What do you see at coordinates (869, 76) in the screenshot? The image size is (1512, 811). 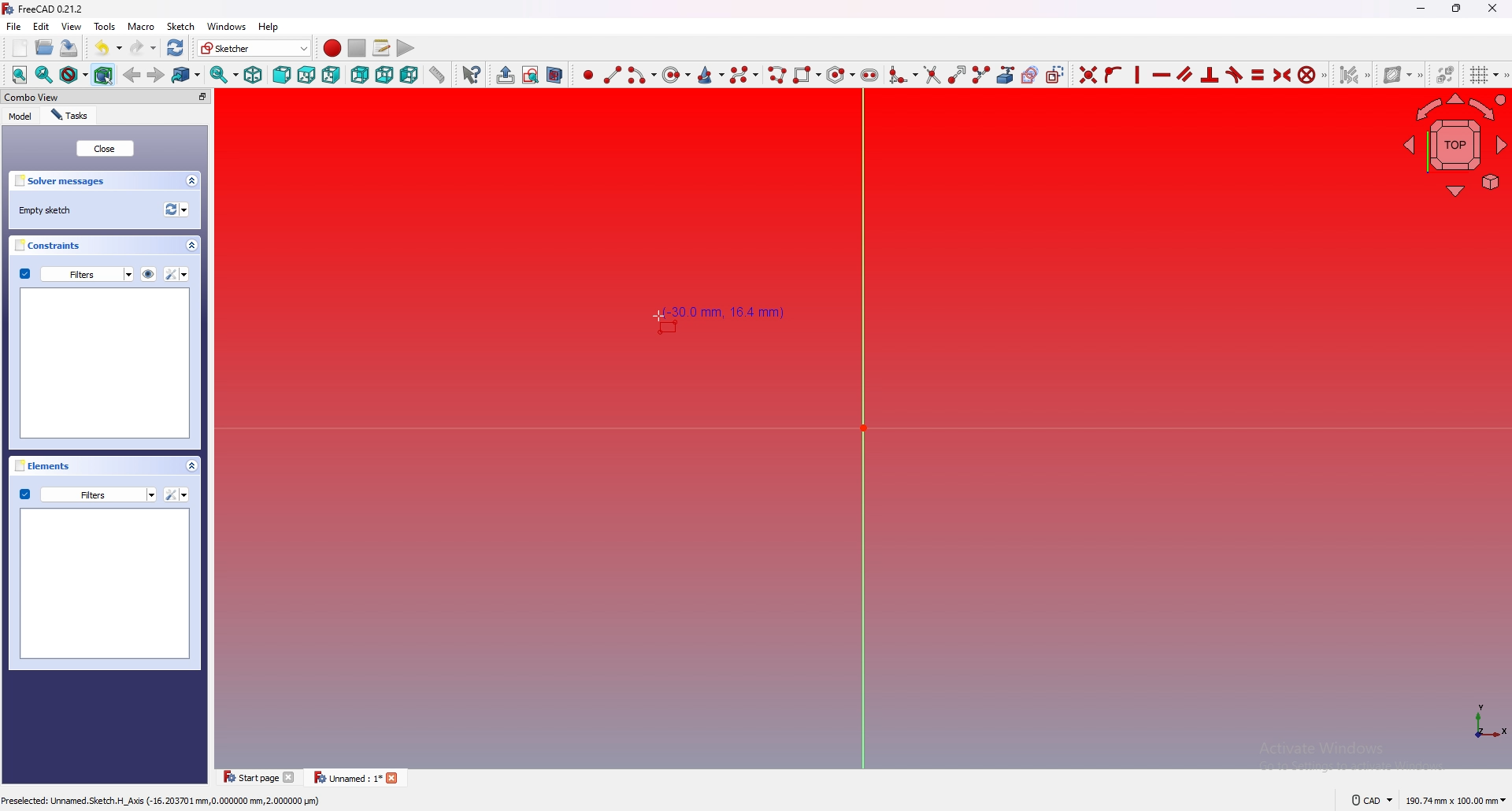 I see `create slot` at bounding box center [869, 76].